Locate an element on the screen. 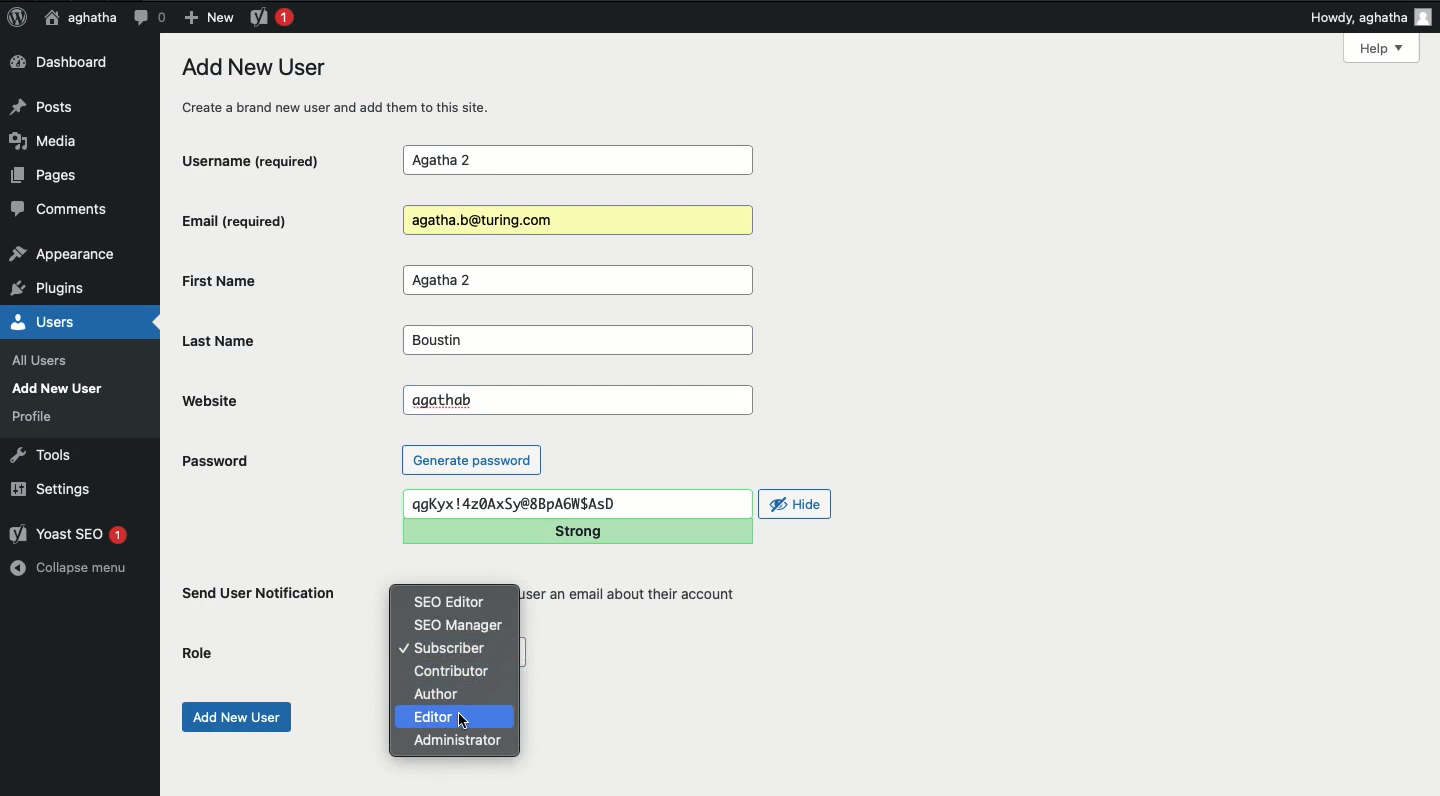 This screenshot has width=1440, height=796. Add New User is located at coordinates (62, 388).